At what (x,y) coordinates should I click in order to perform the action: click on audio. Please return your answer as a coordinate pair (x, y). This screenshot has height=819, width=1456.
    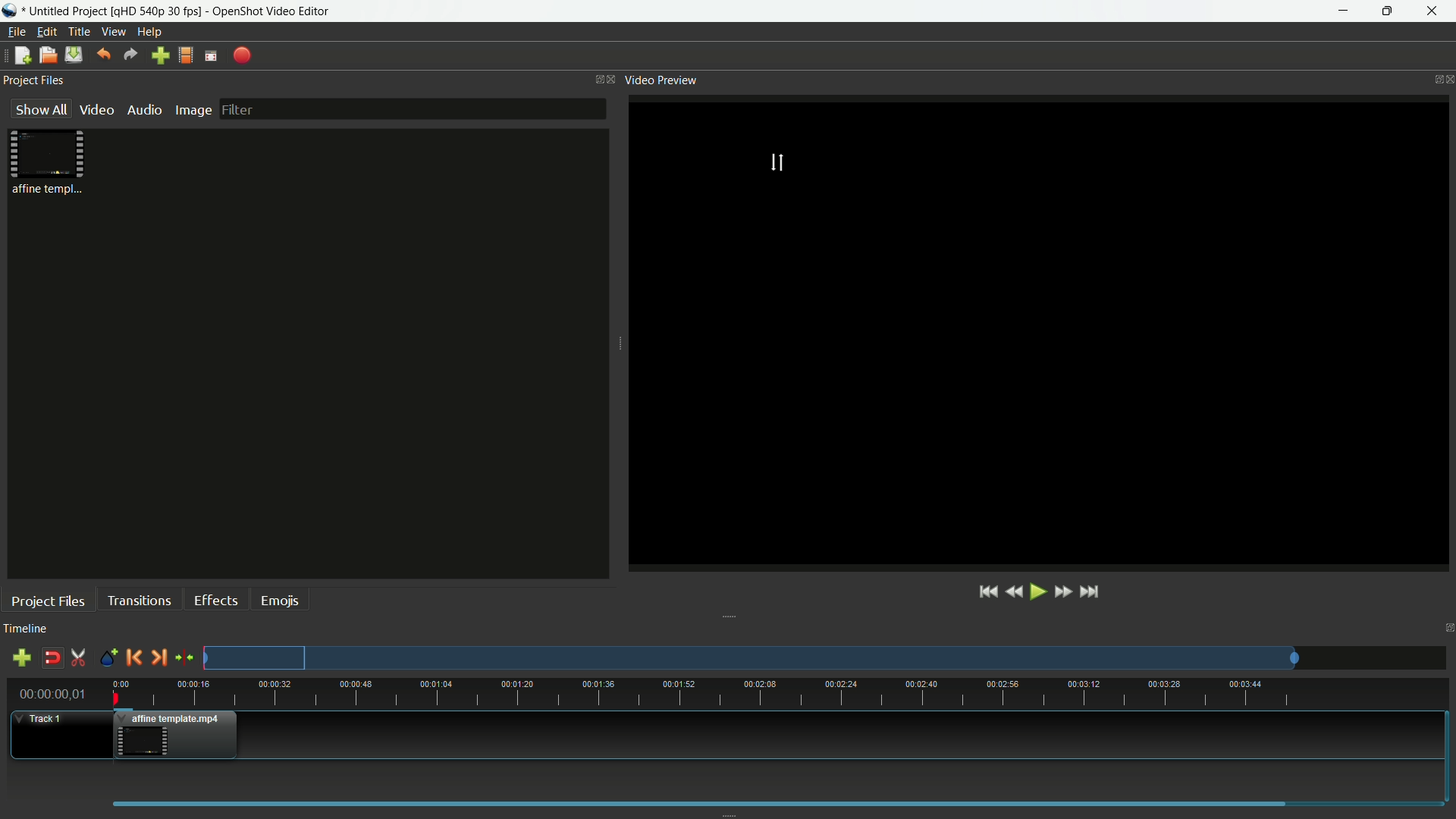
    Looking at the image, I should click on (145, 109).